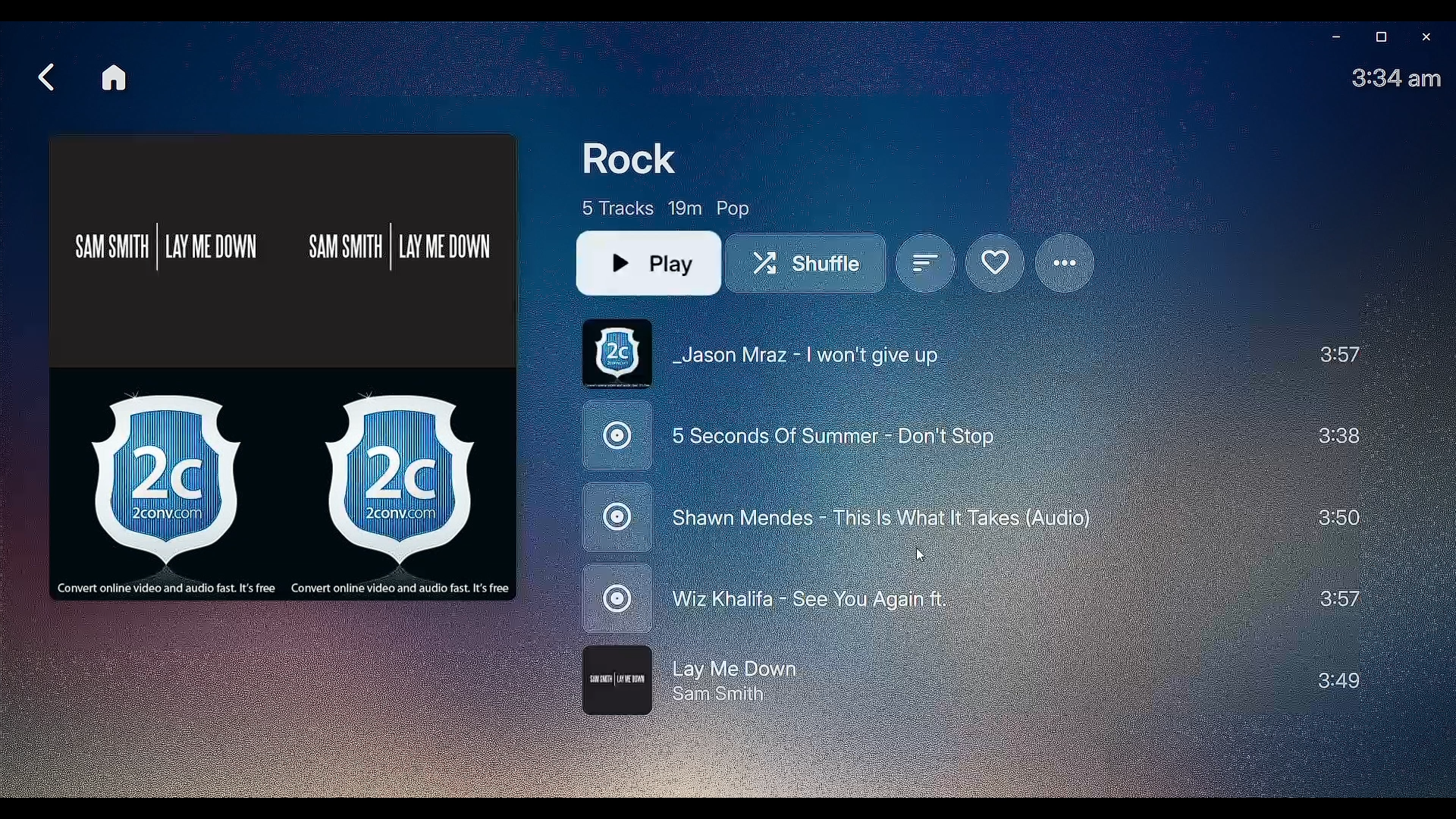 The height and width of the screenshot is (819, 1456). Describe the element at coordinates (666, 207) in the screenshot. I see `Playlist details` at that location.